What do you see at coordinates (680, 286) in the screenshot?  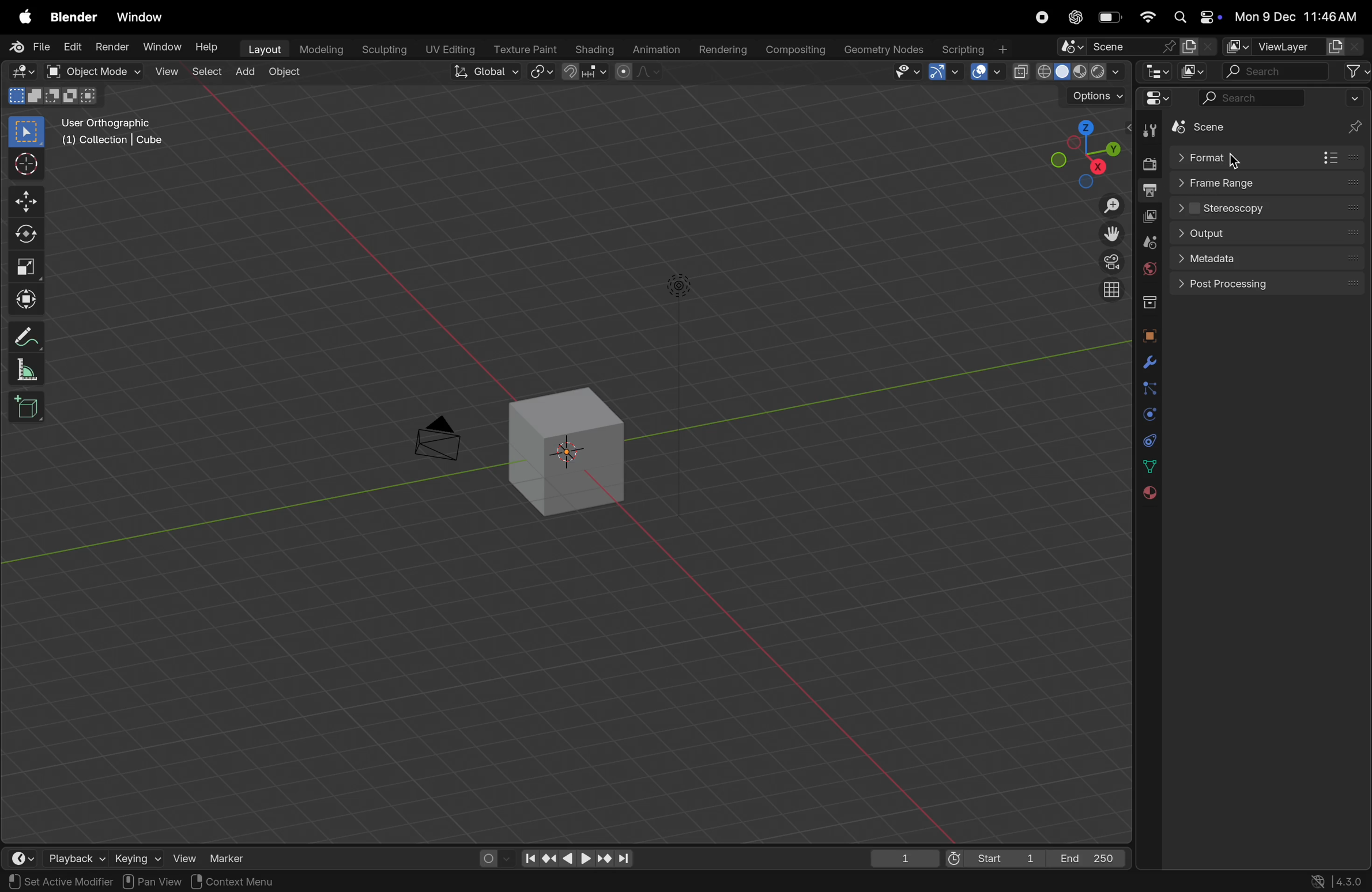 I see `light` at bounding box center [680, 286].